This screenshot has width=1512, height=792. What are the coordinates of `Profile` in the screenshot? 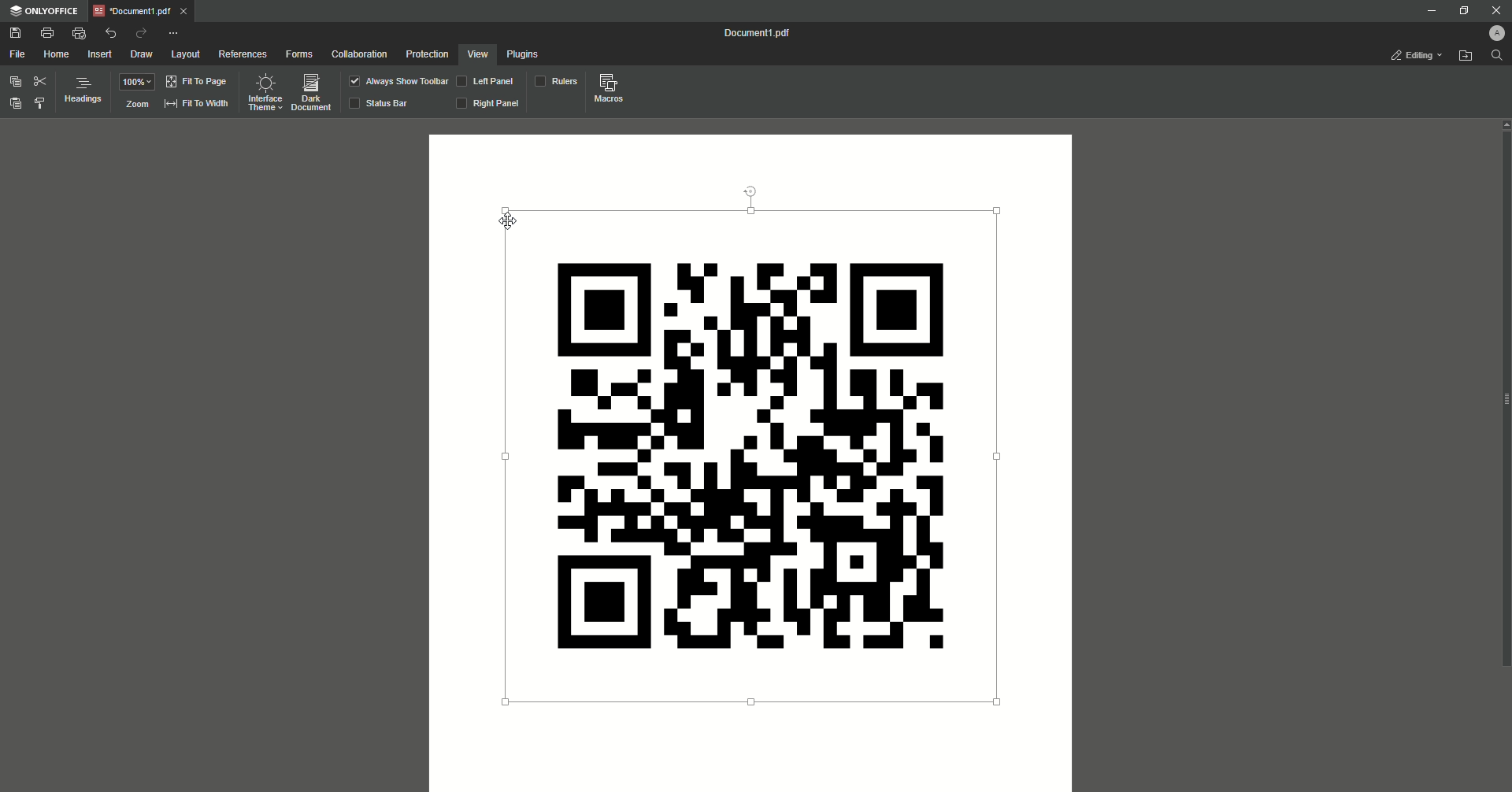 It's located at (1490, 34).